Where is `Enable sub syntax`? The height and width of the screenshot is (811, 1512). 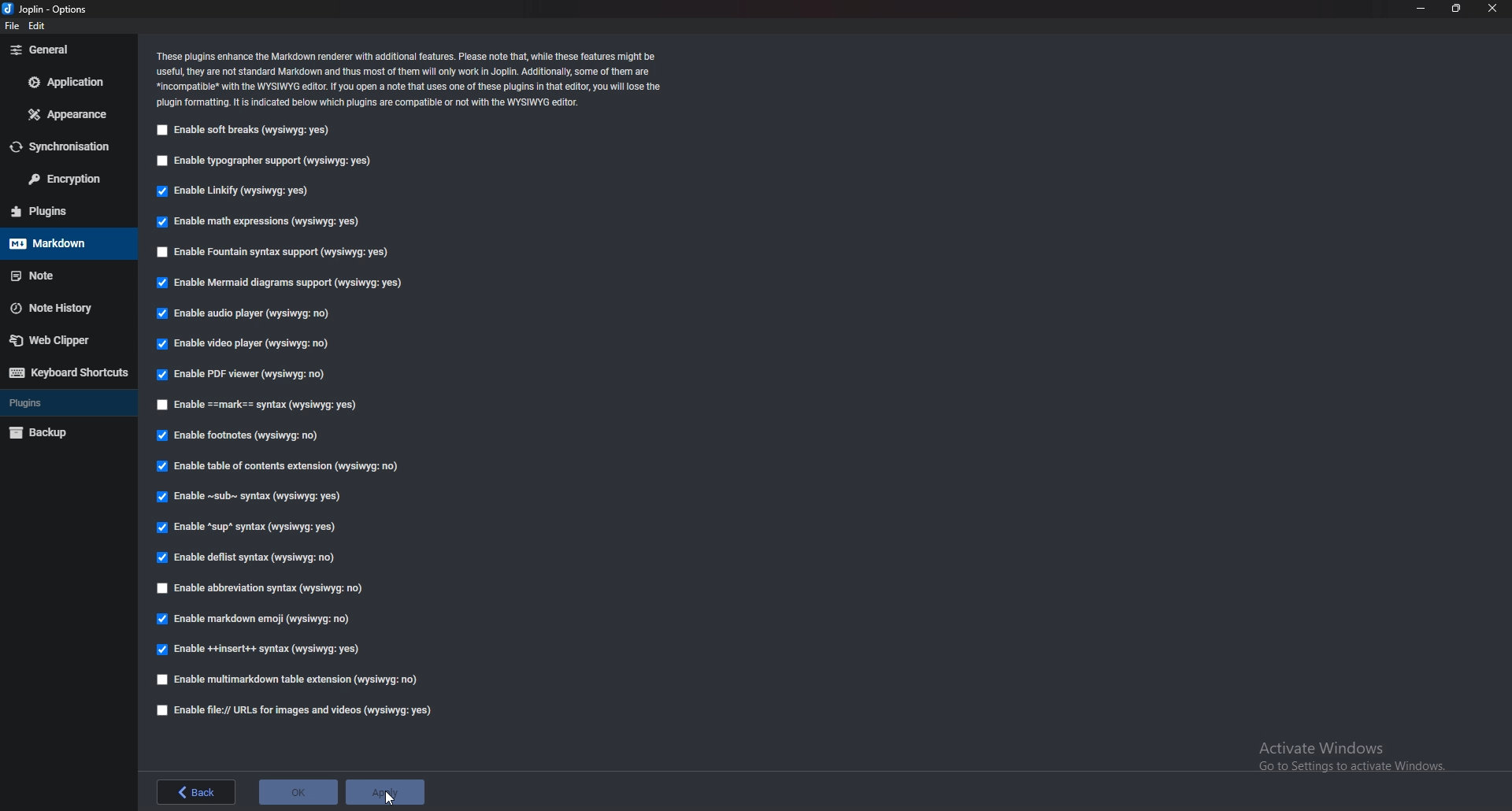 Enable sub syntax is located at coordinates (245, 500).